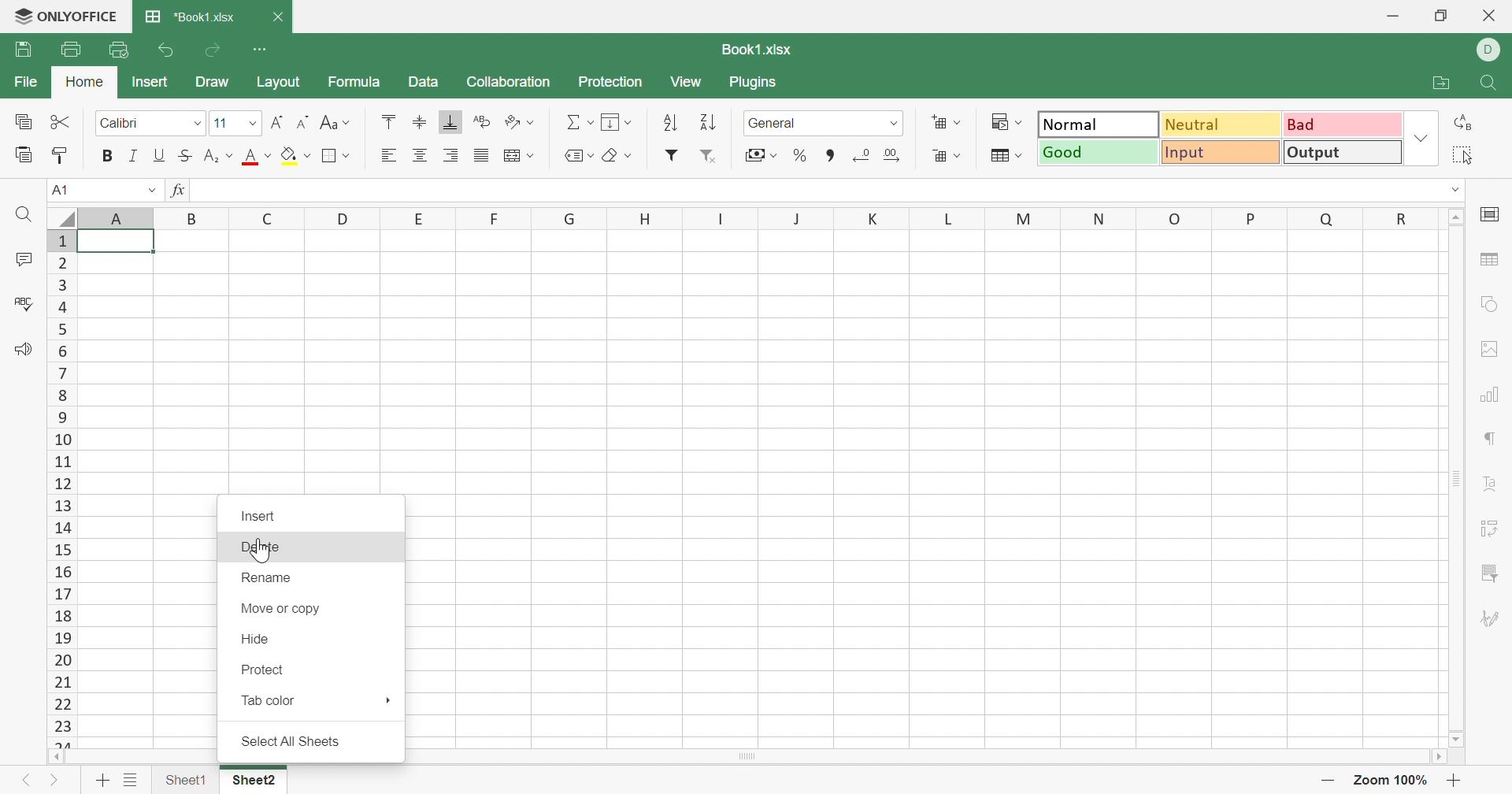 The width and height of the screenshot is (1512, 794). What do you see at coordinates (862, 154) in the screenshot?
I see `Decrease decimal` at bounding box center [862, 154].